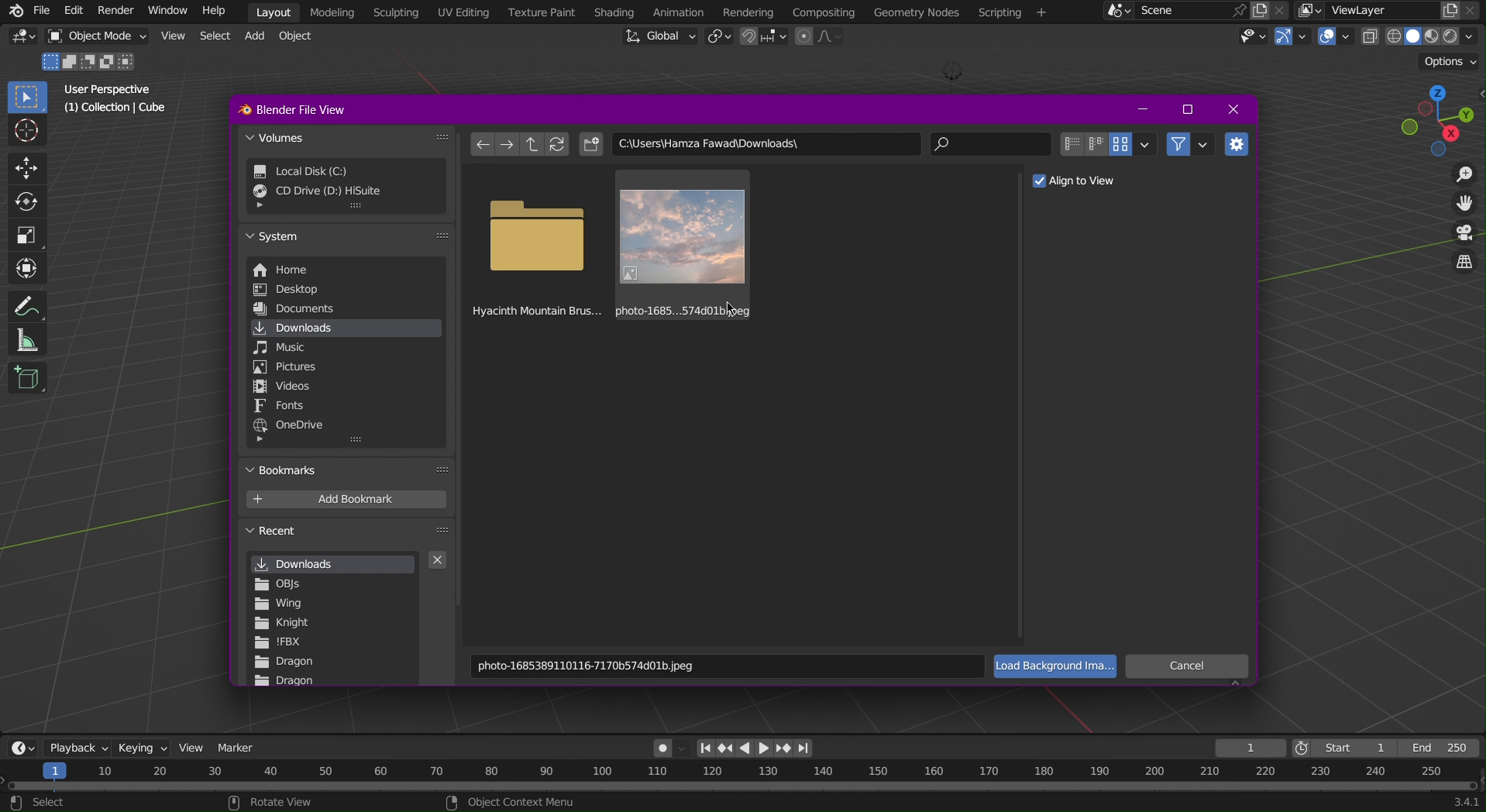 This screenshot has height=812, width=1486. Describe the element at coordinates (25, 234) in the screenshot. I see `Scale` at that location.